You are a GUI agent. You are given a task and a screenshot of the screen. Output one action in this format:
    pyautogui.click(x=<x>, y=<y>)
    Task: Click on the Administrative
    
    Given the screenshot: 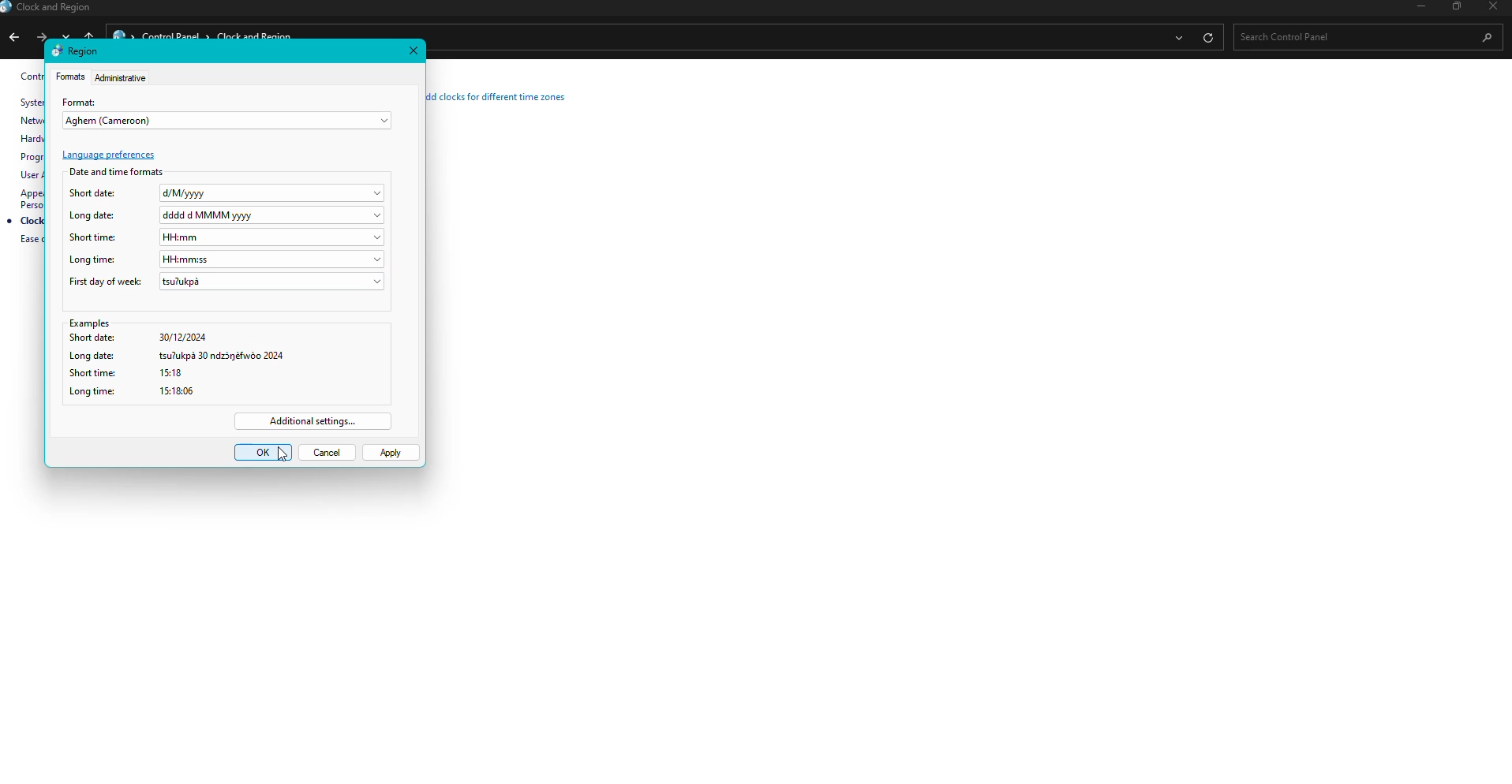 What is the action you would take?
    pyautogui.click(x=122, y=77)
    